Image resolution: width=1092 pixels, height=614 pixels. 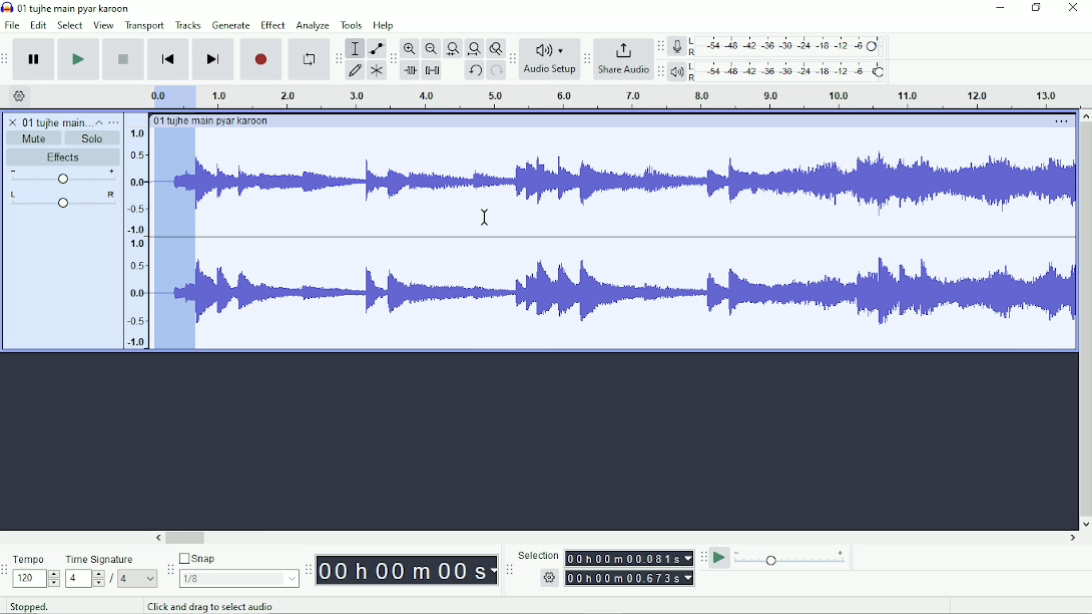 I want to click on Vertical meter, so click(x=133, y=237).